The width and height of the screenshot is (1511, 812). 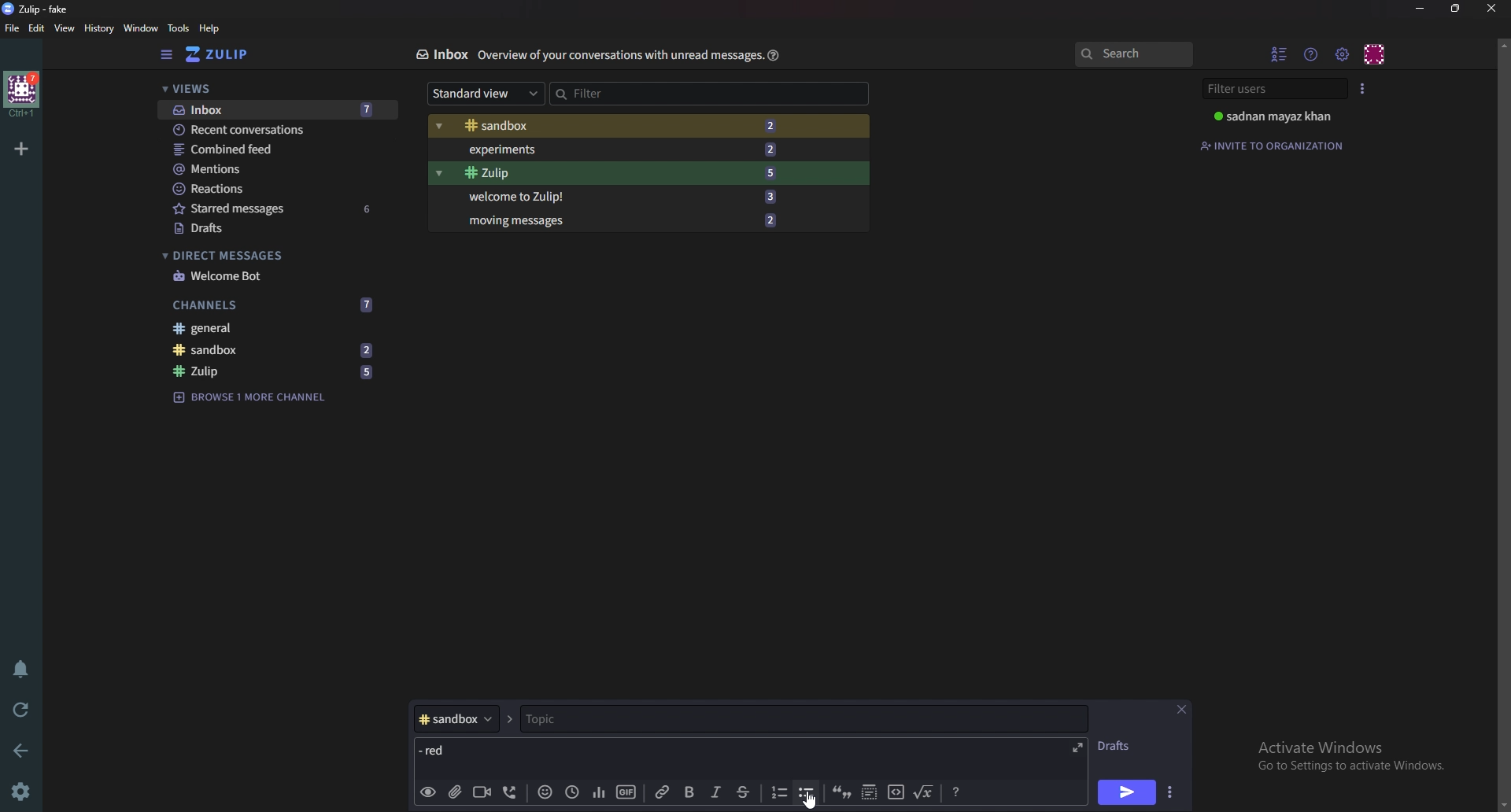 What do you see at coordinates (427, 793) in the screenshot?
I see `preview` at bounding box center [427, 793].